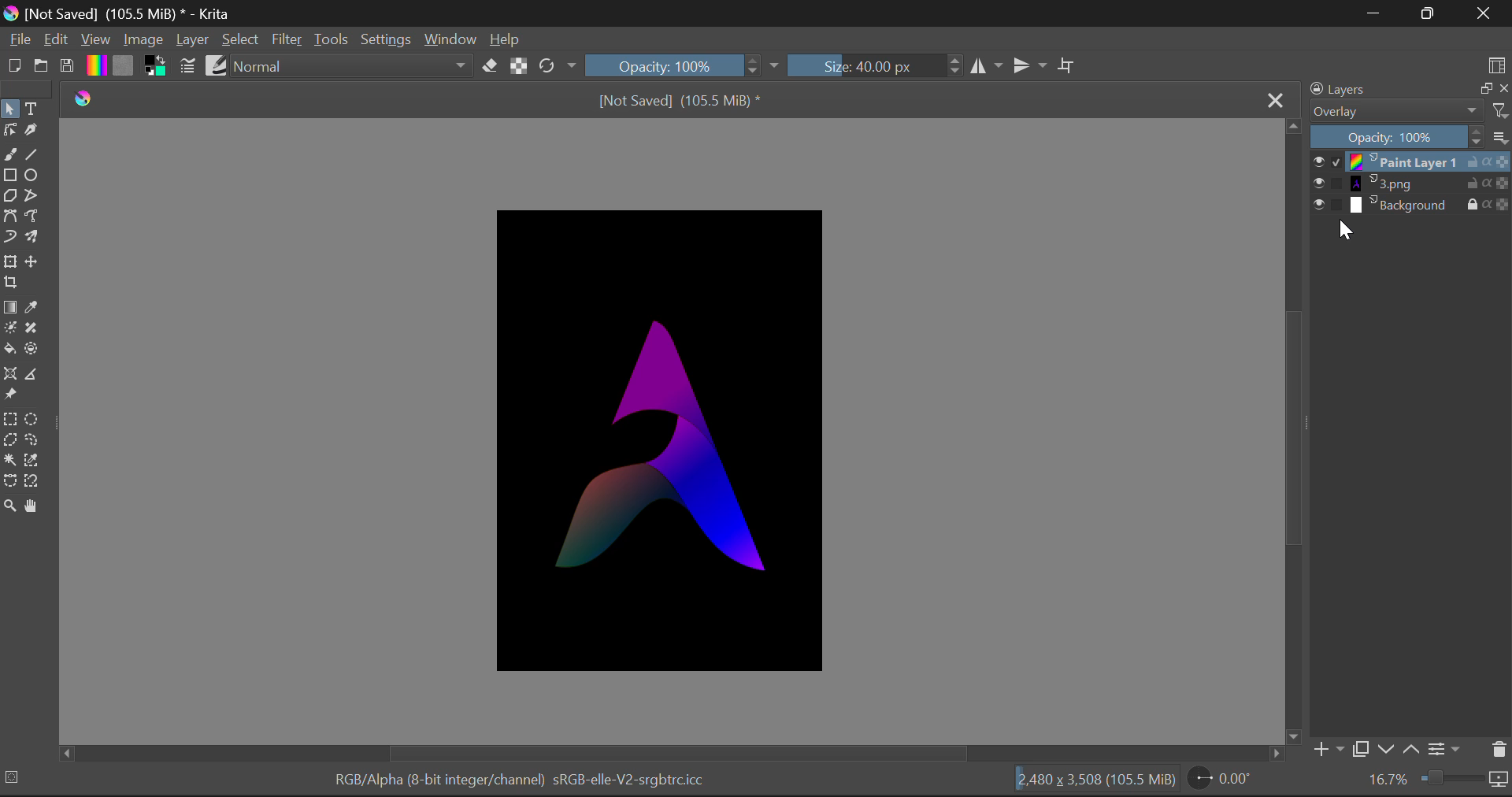 The width and height of the screenshot is (1512, 797). Describe the element at coordinates (35, 258) in the screenshot. I see `Move Layer` at that location.